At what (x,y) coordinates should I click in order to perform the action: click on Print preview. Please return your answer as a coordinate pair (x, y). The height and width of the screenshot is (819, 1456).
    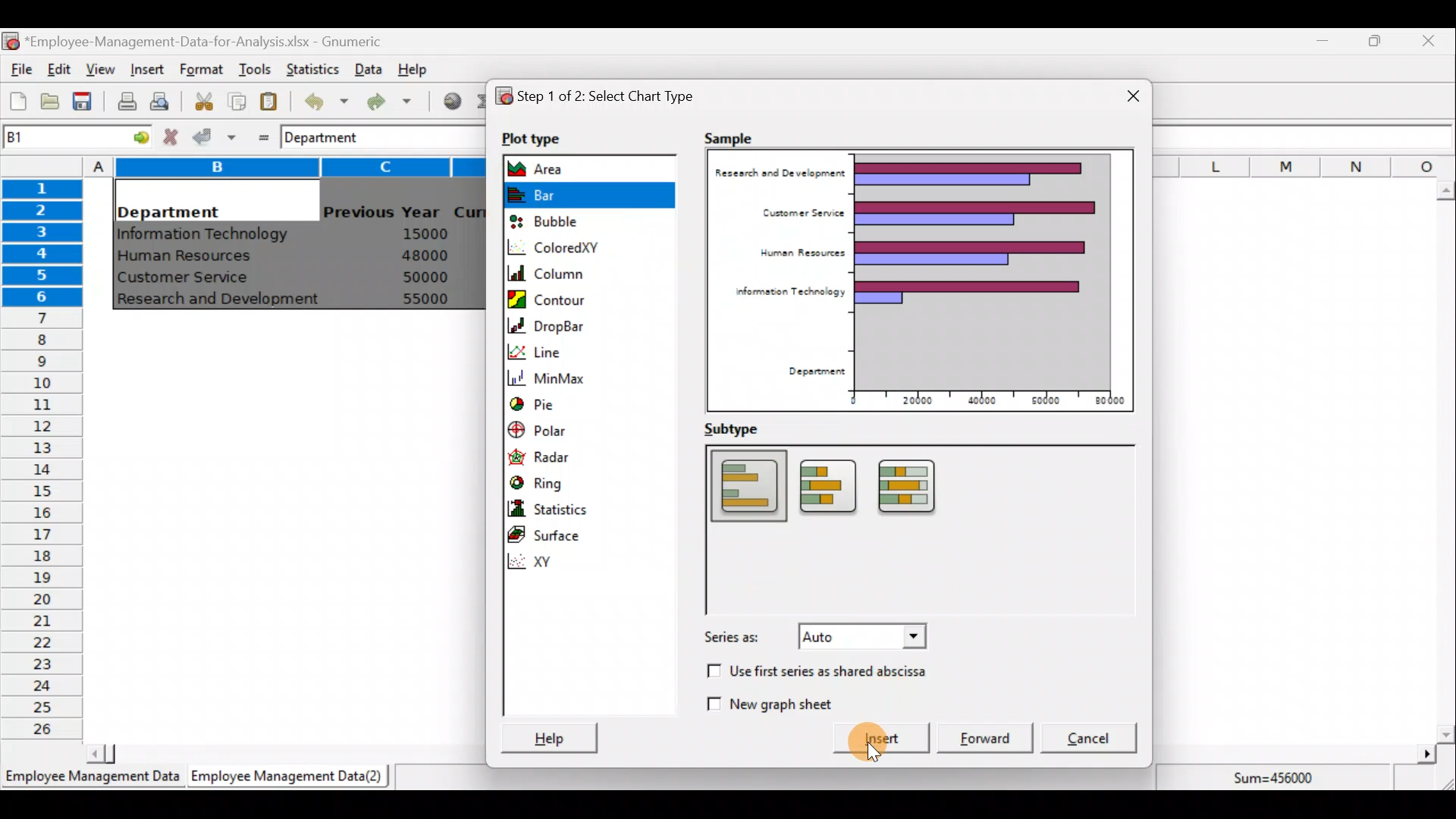
    Looking at the image, I should click on (159, 99).